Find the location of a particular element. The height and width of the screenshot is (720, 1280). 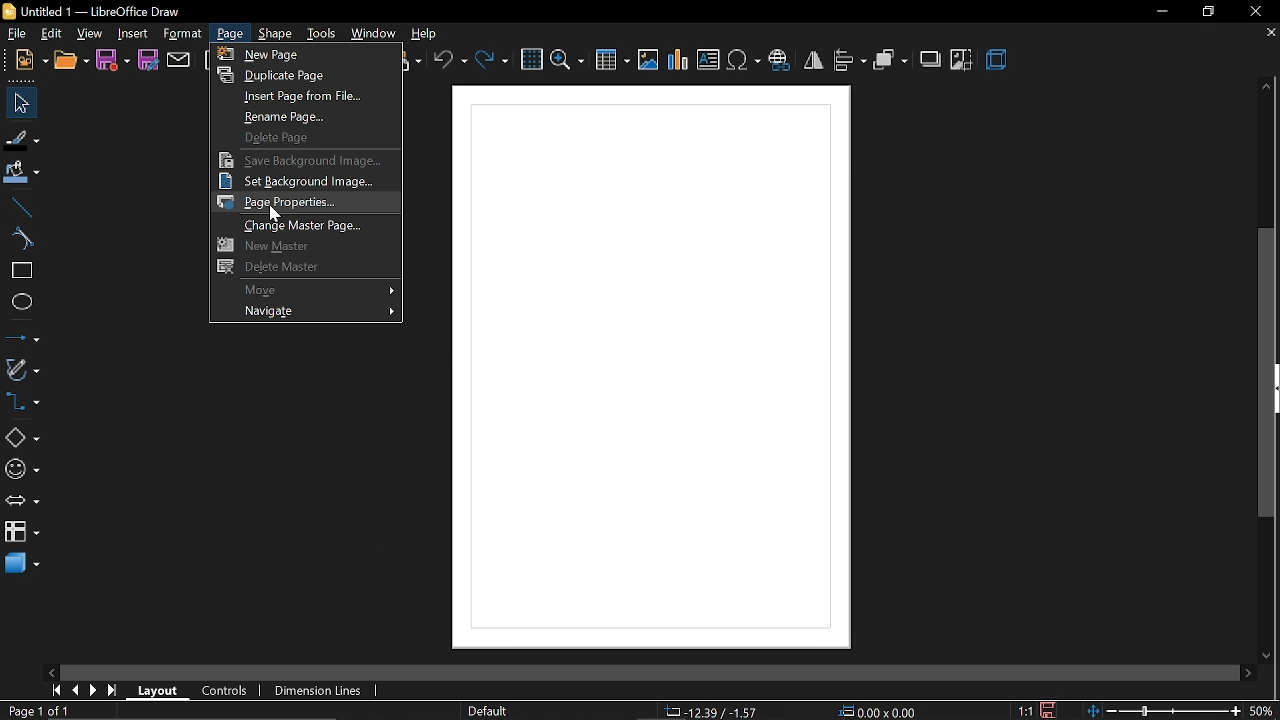

layout is located at coordinates (160, 690).